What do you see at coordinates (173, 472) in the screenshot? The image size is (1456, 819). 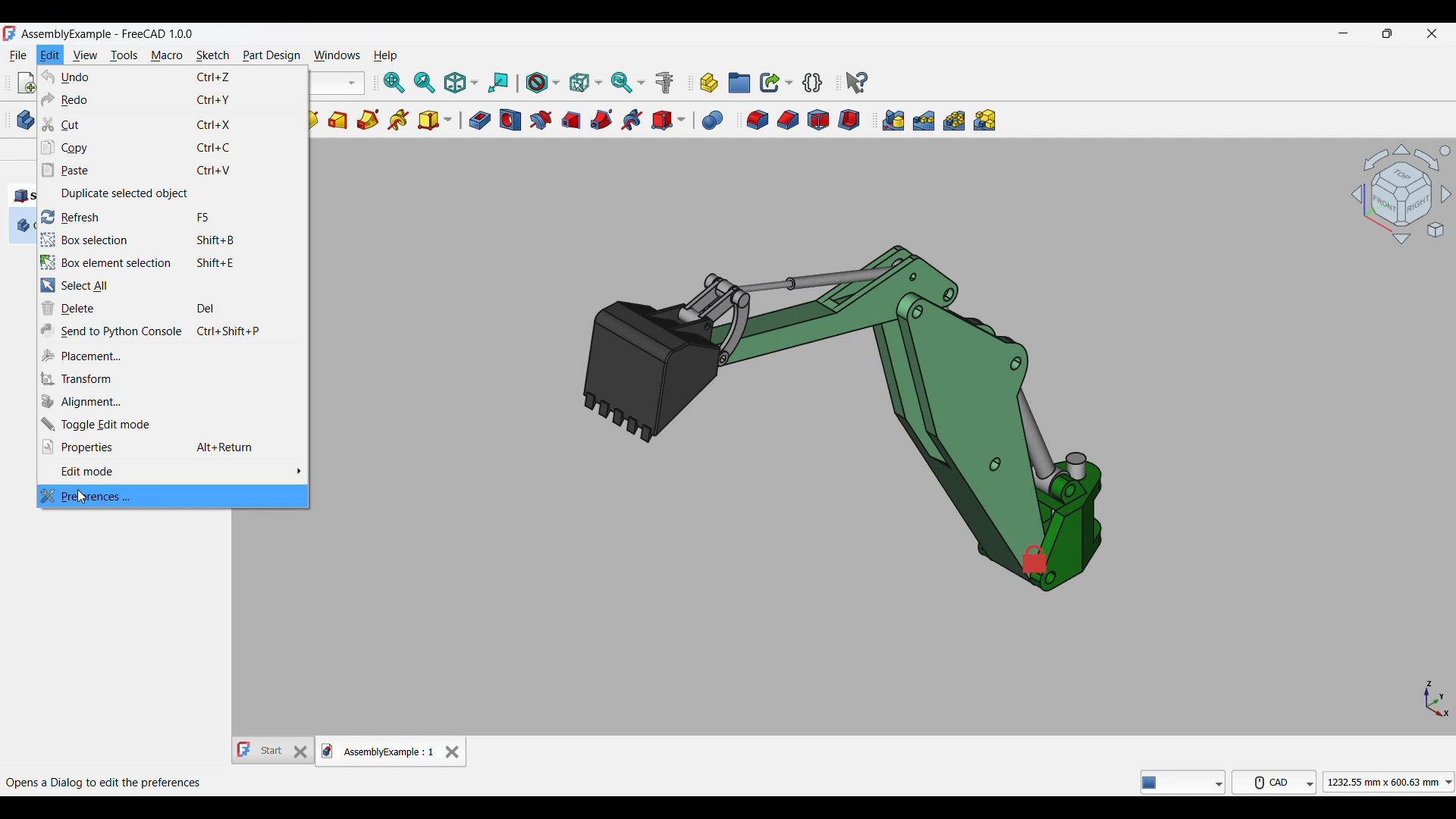 I see `Edit mode` at bounding box center [173, 472].